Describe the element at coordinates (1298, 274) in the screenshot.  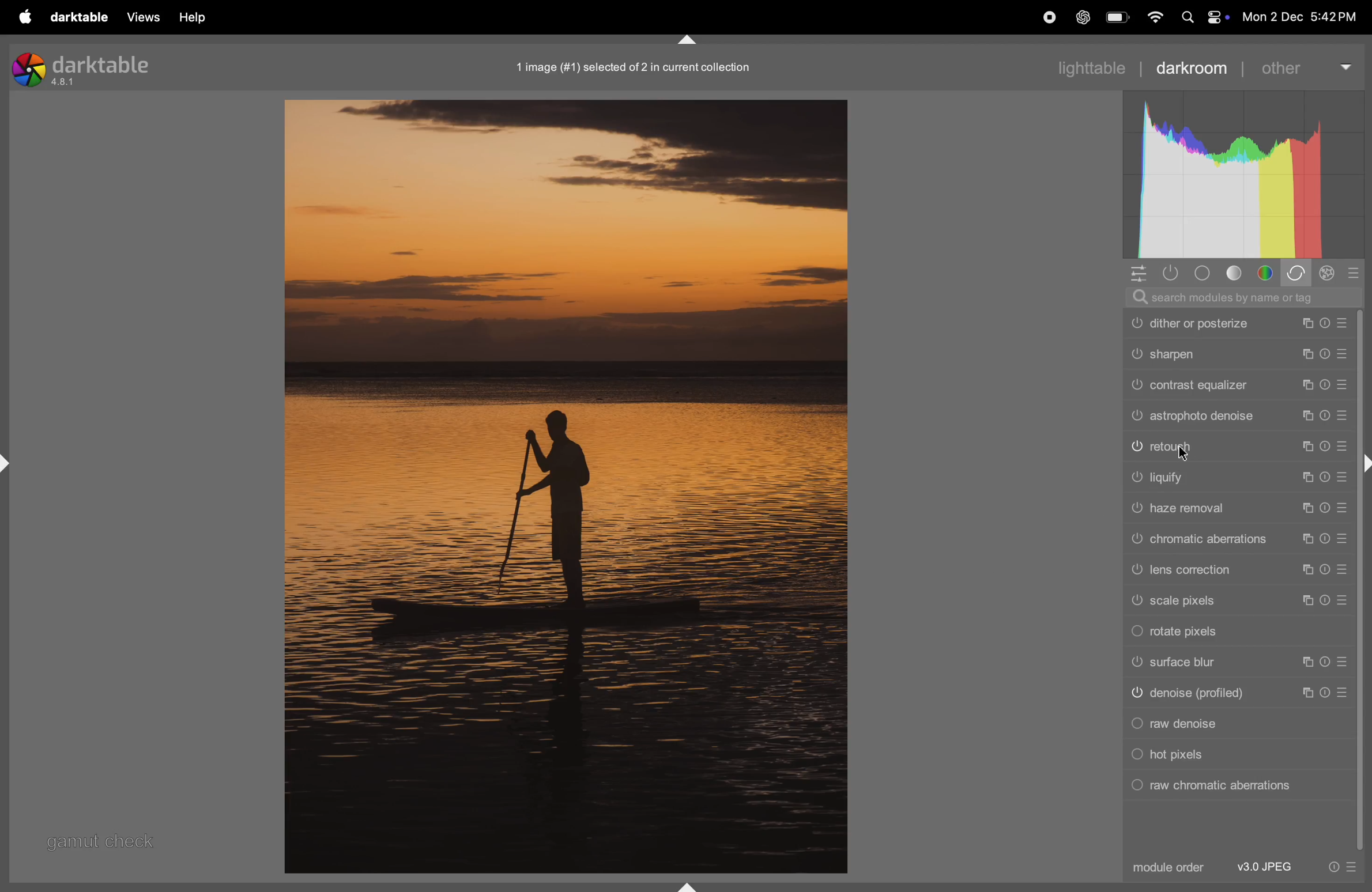
I see `correct` at that location.